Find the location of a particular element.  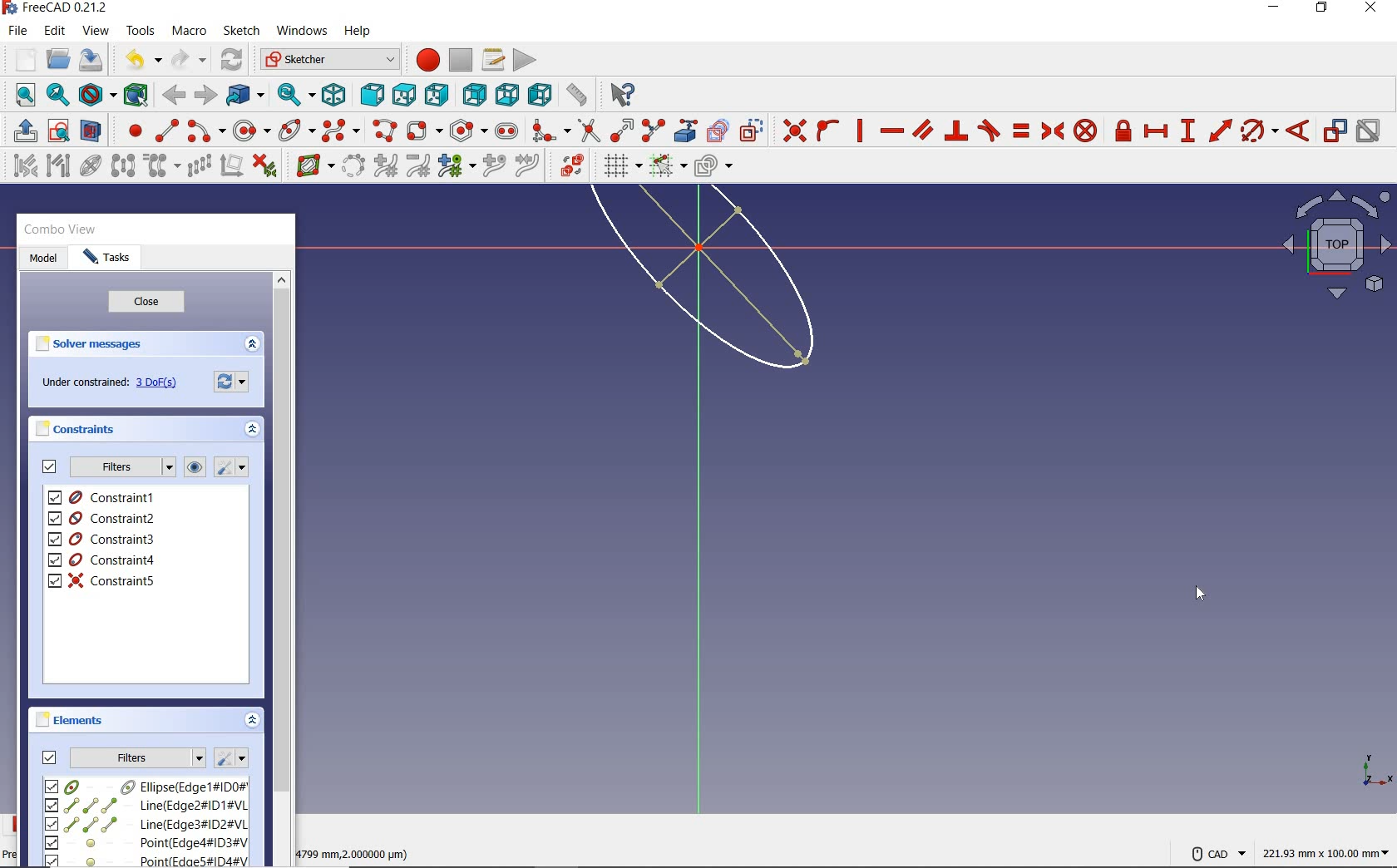

redo is located at coordinates (189, 59).